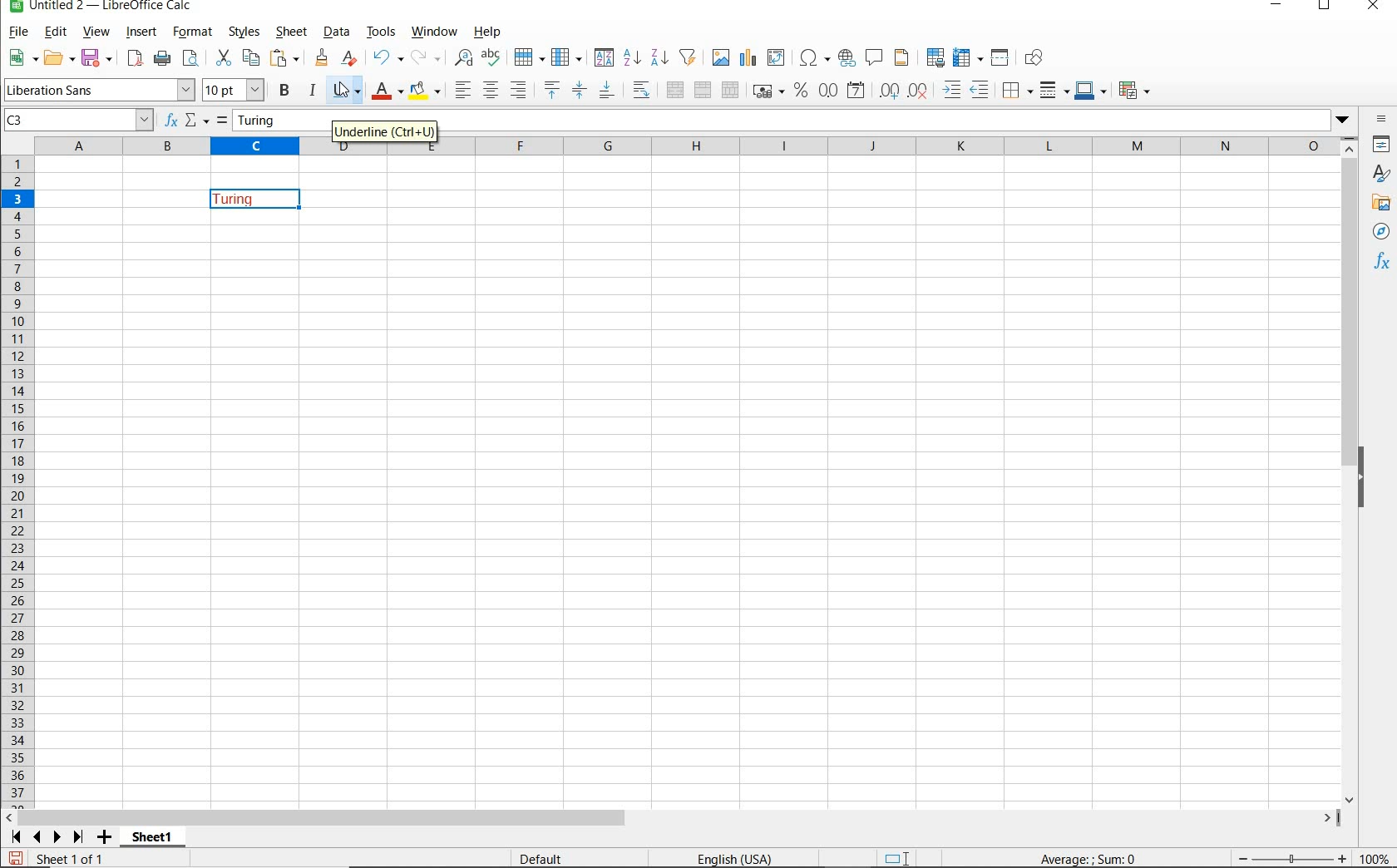 This screenshot has width=1397, height=868. What do you see at coordinates (748, 57) in the screenshot?
I see `INSERT CHAT` at bounding box center [748, 57].